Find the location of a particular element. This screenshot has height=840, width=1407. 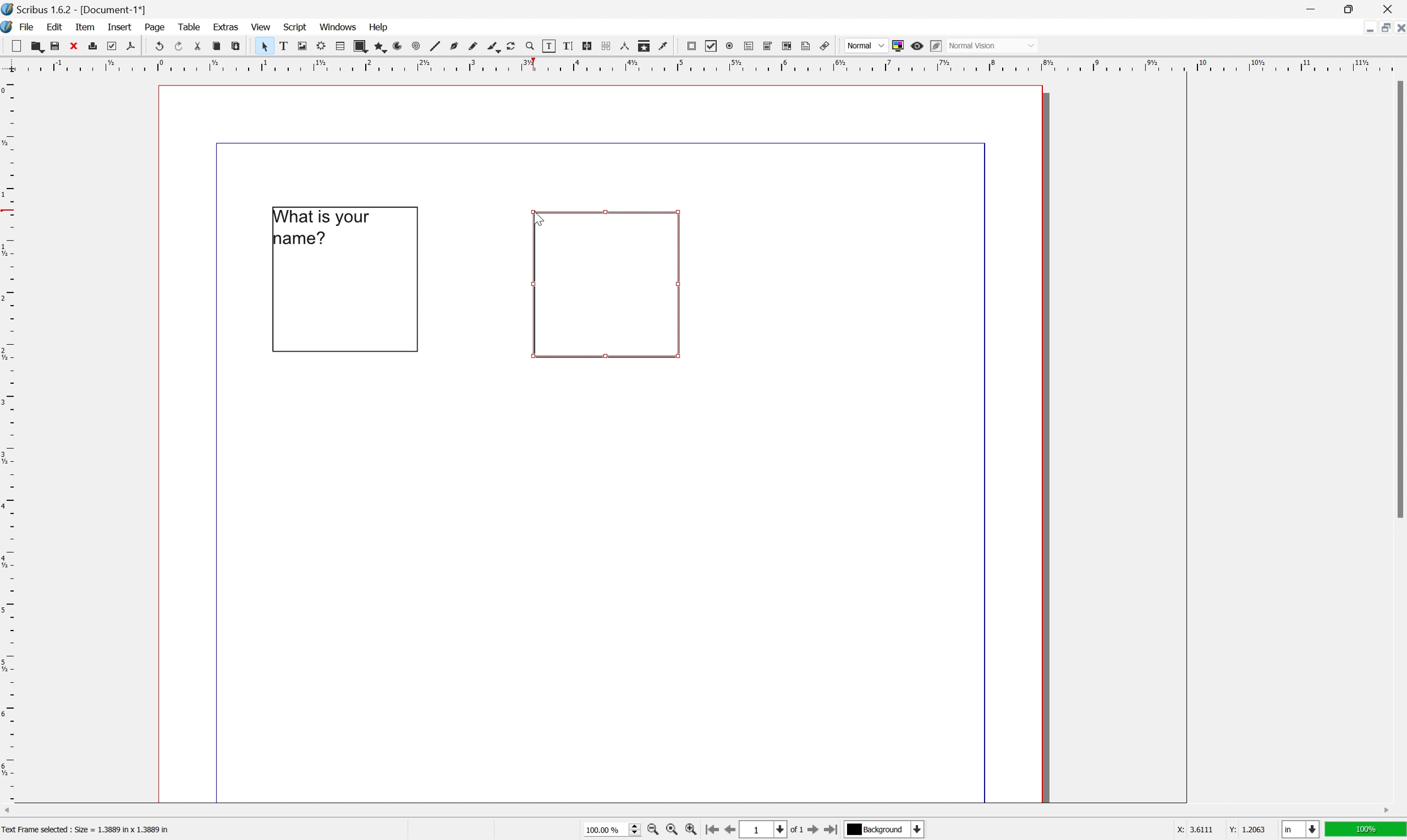

What is your name? is located at coordinates (328, 230).